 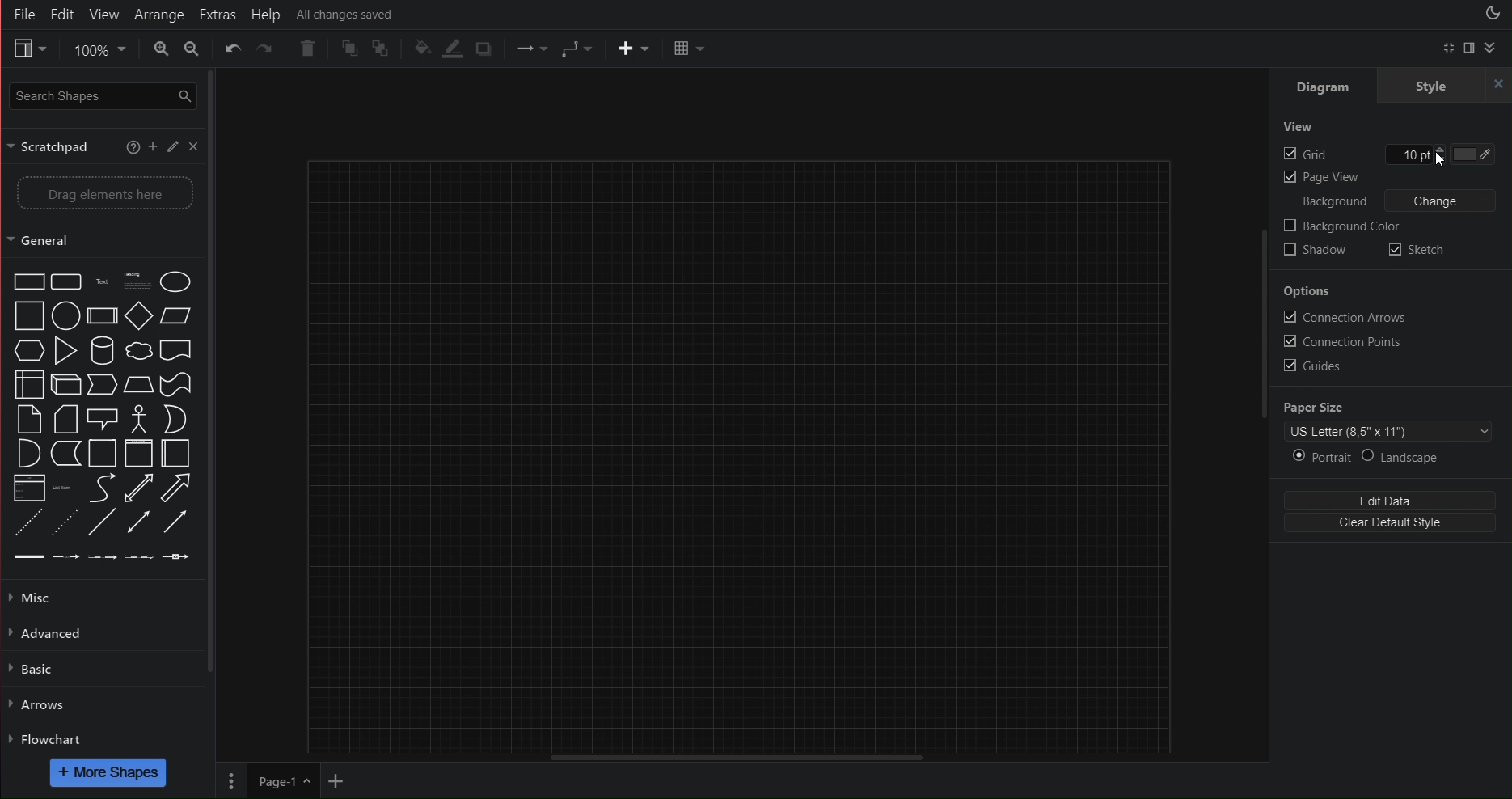 I want to click on Scrollbar, so click(x=213, y=371).